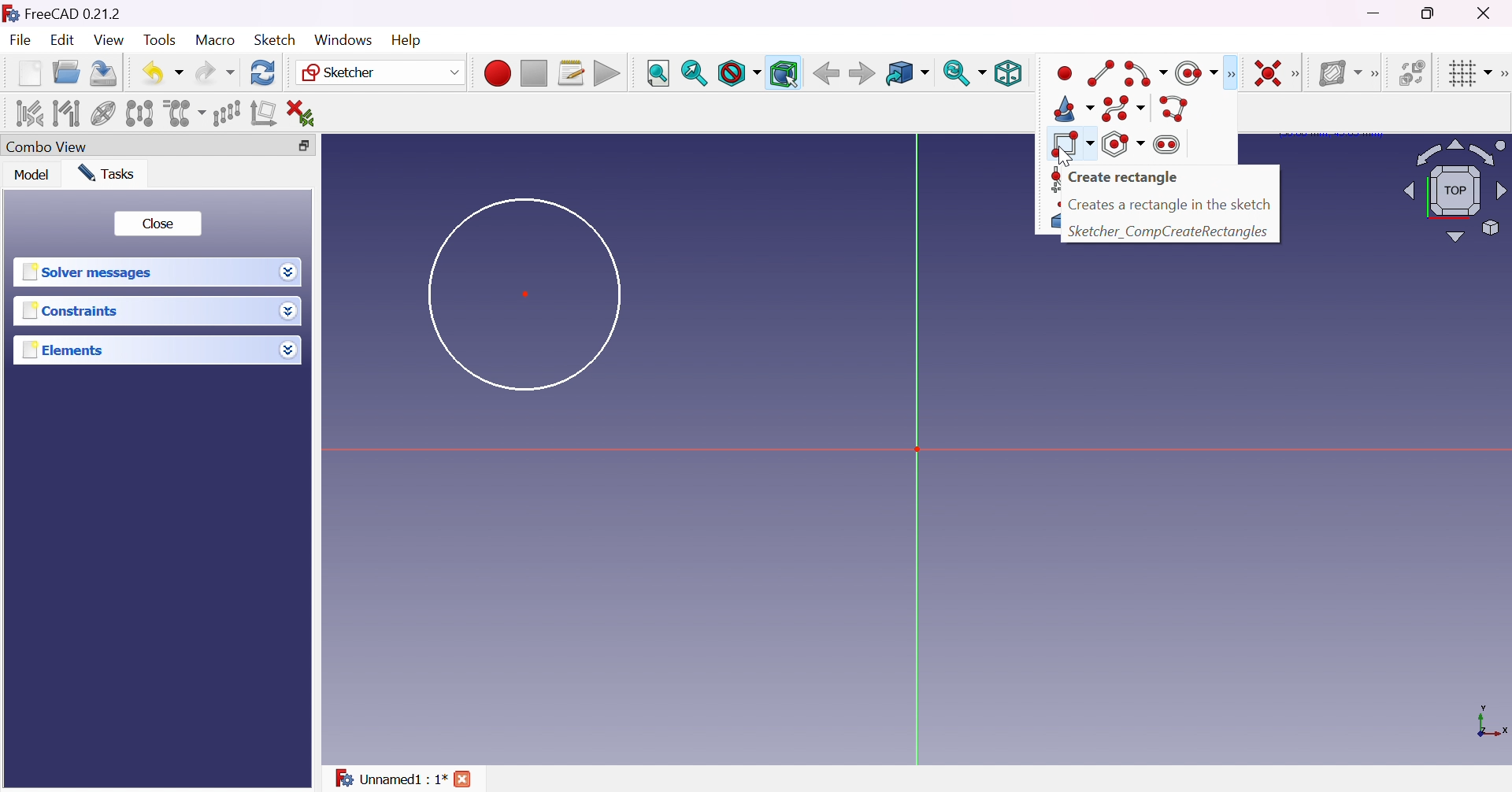 Image resolution: width=1512 pixels, height=792 pixels. What do you see at coordinates (785, 74) in the screenshot?
I see `Bounding box` at bounding box center [785, 74].